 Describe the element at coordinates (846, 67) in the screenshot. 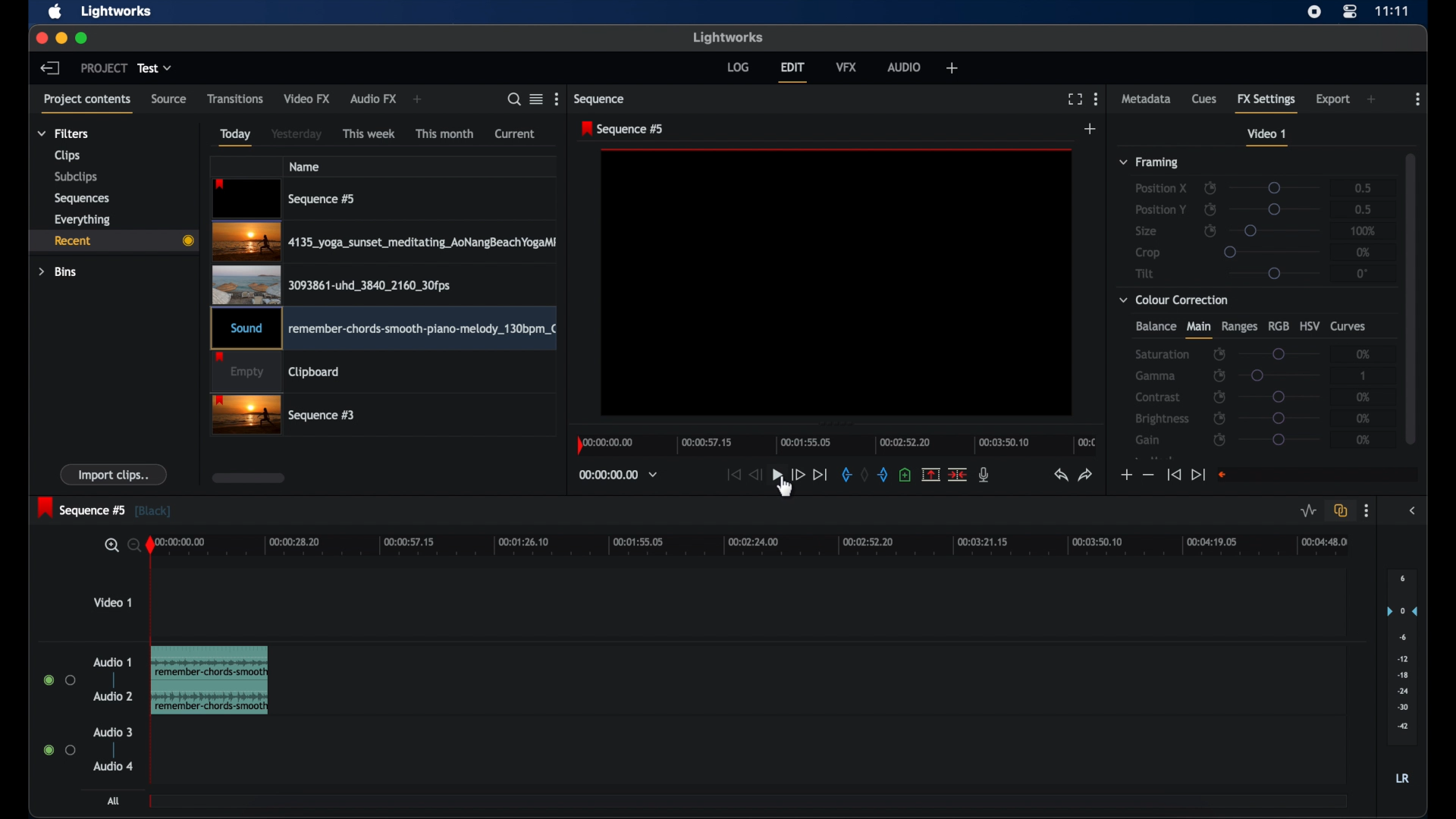

I see `vfx` at that location.